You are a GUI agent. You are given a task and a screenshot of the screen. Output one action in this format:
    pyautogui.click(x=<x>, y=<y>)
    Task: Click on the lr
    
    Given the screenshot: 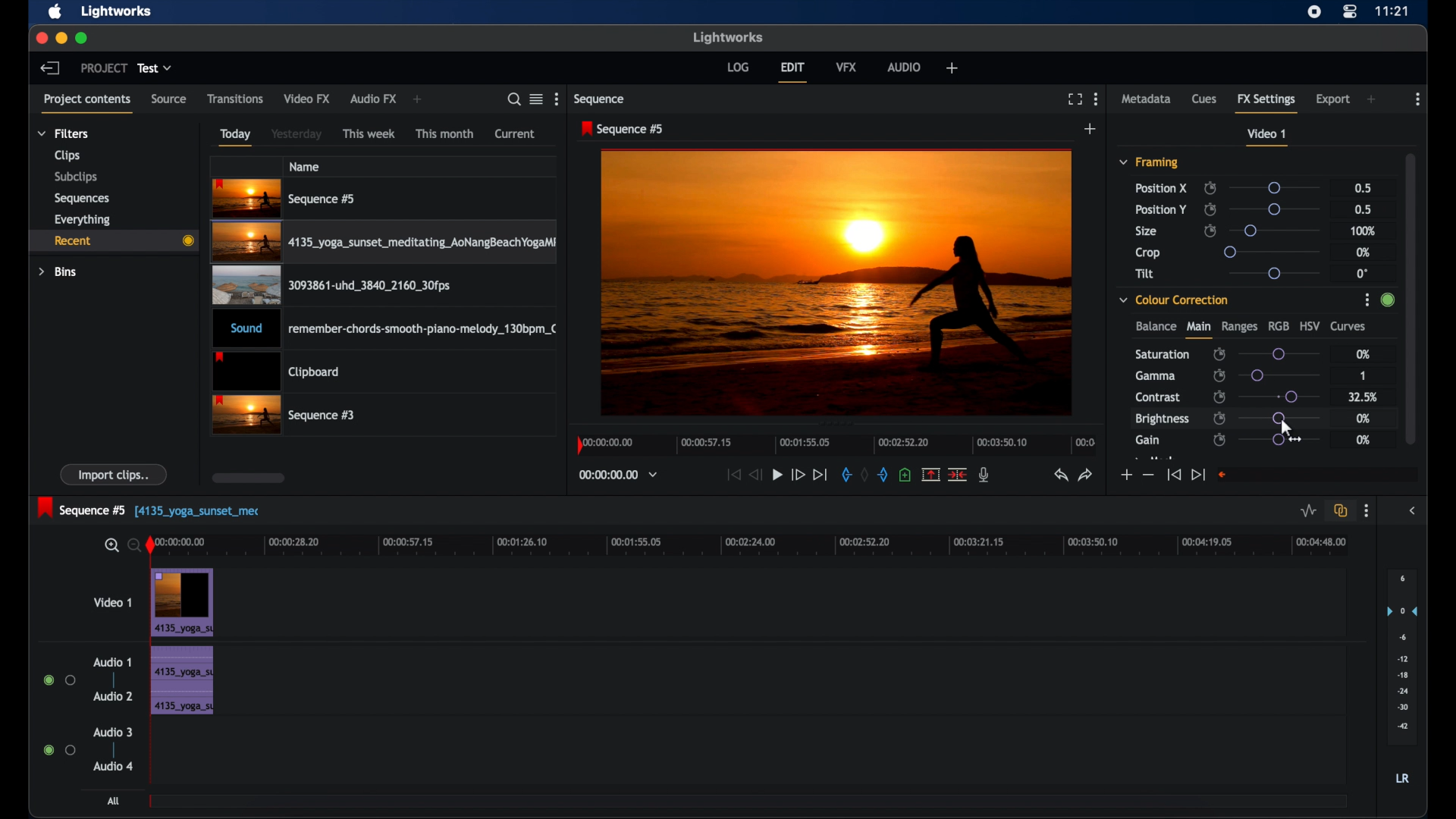 What is the action you would take?
    pyautogui.click(x=1402, y=778)
    